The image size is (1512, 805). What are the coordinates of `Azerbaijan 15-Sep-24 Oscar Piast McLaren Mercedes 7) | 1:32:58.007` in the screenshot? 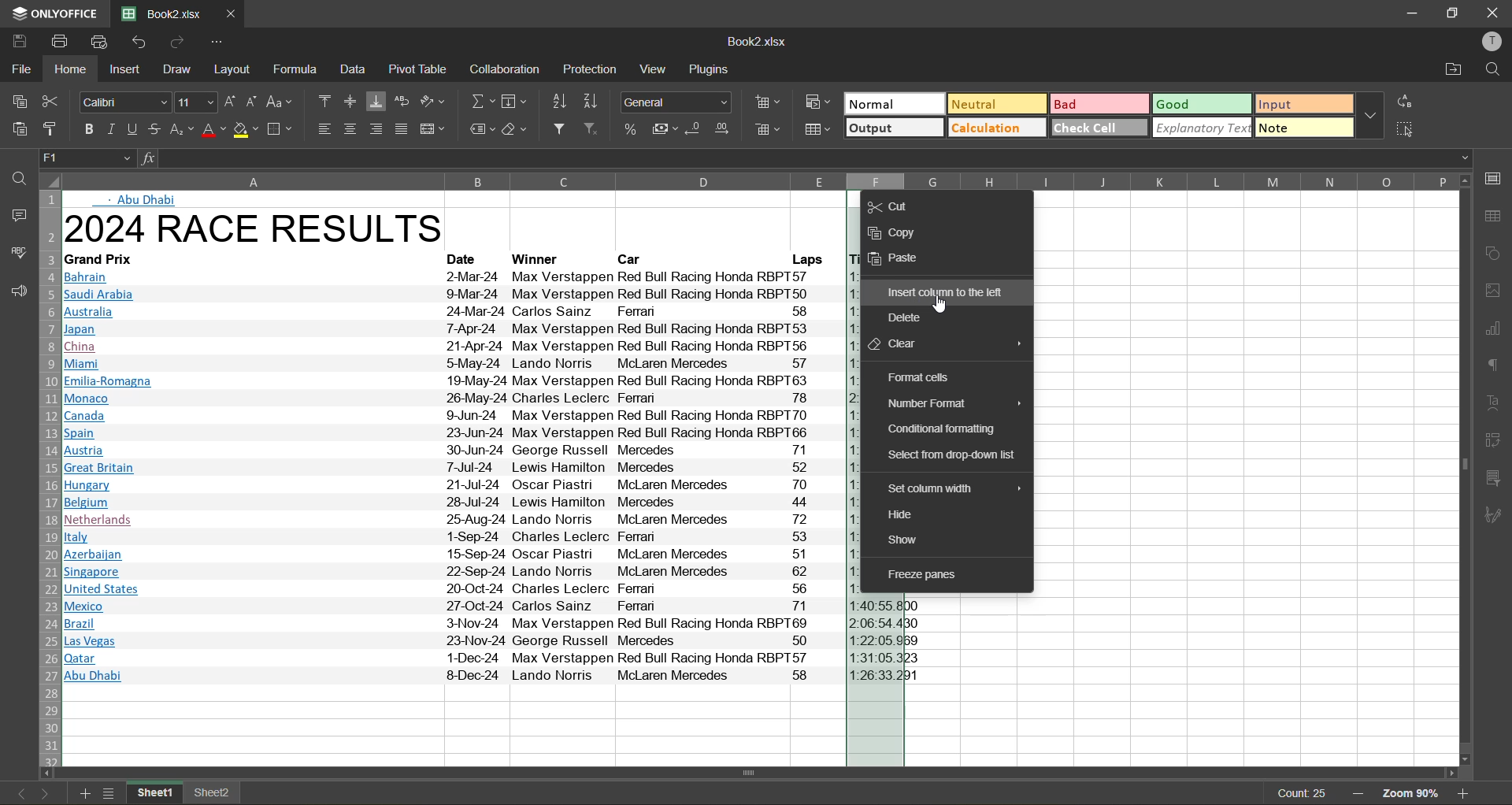 It's located at (448, 555).